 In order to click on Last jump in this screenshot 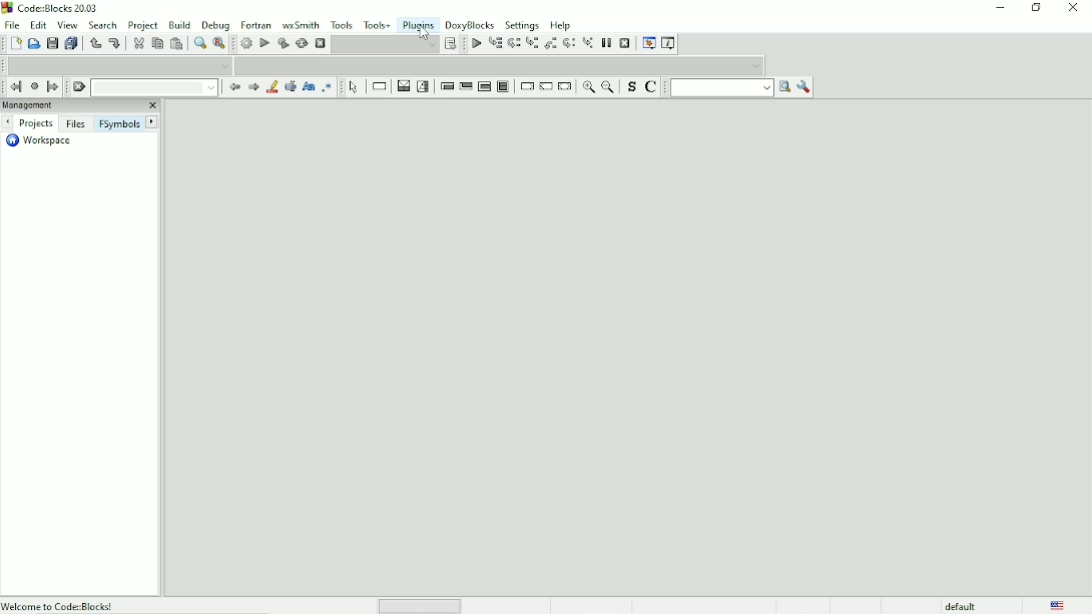, I will do `click(34, 86)`.